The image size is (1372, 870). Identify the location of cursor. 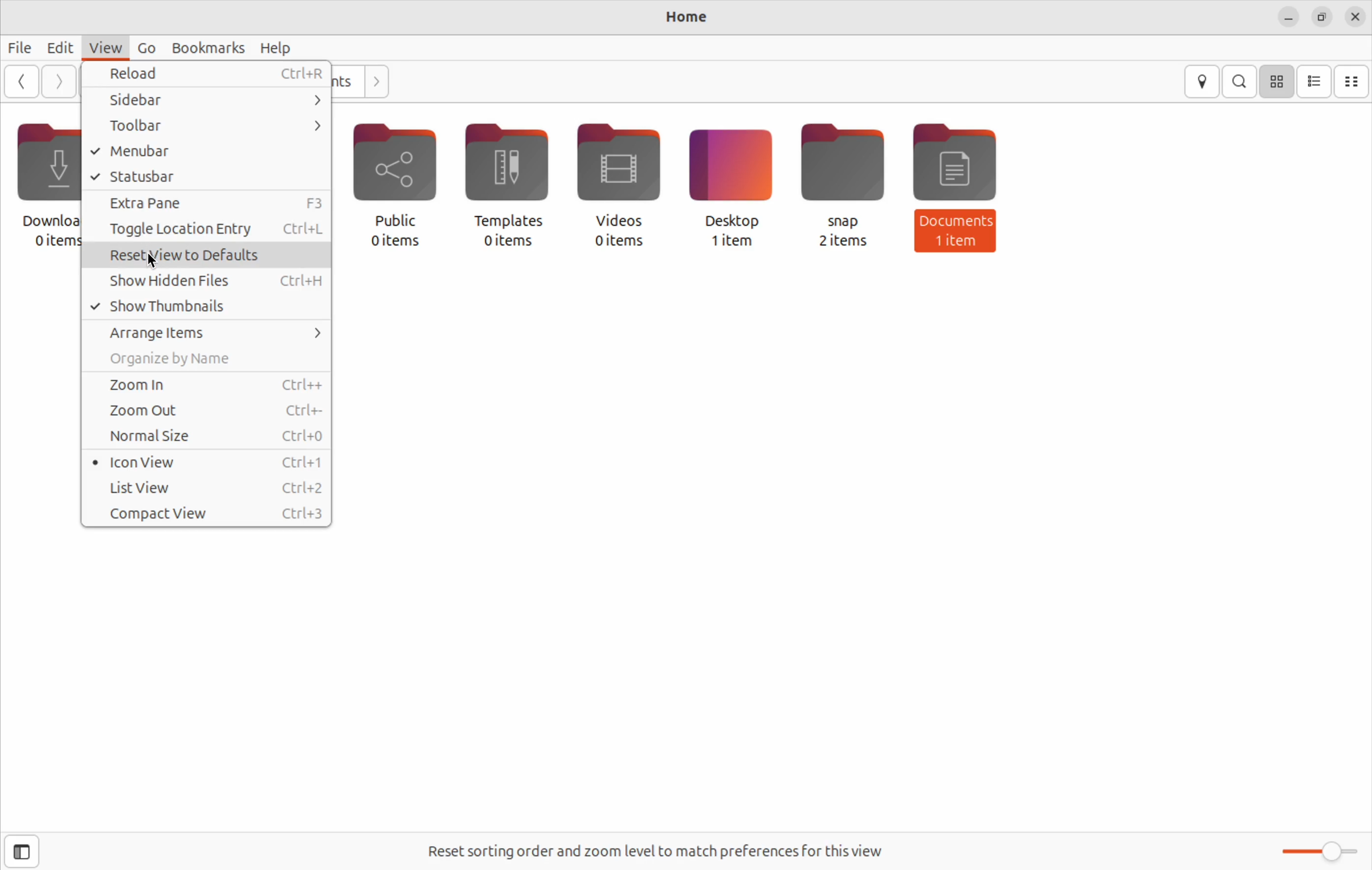
(148, 263).